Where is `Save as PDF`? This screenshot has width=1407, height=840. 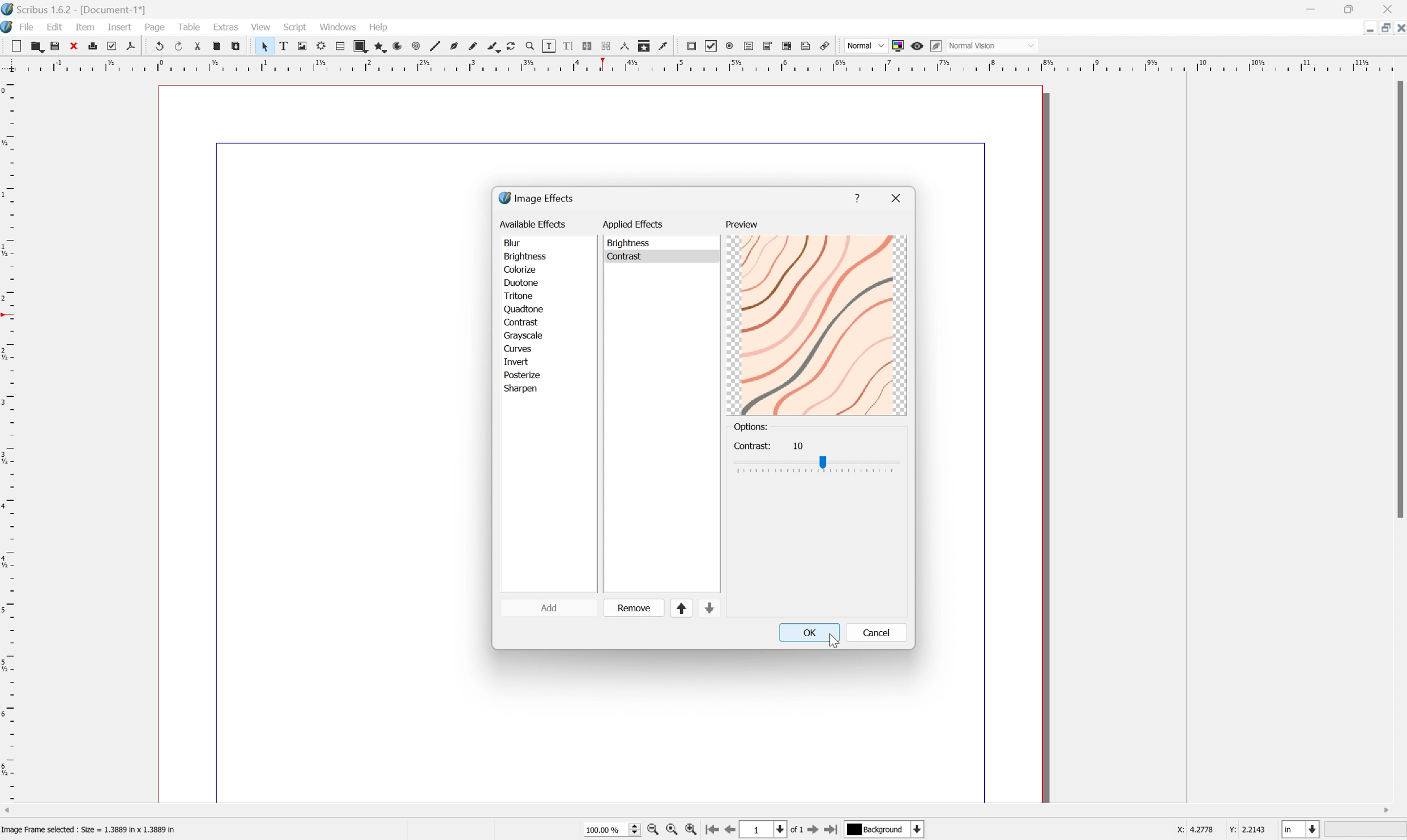 Save as PDF is located at coordinates (131, 45).